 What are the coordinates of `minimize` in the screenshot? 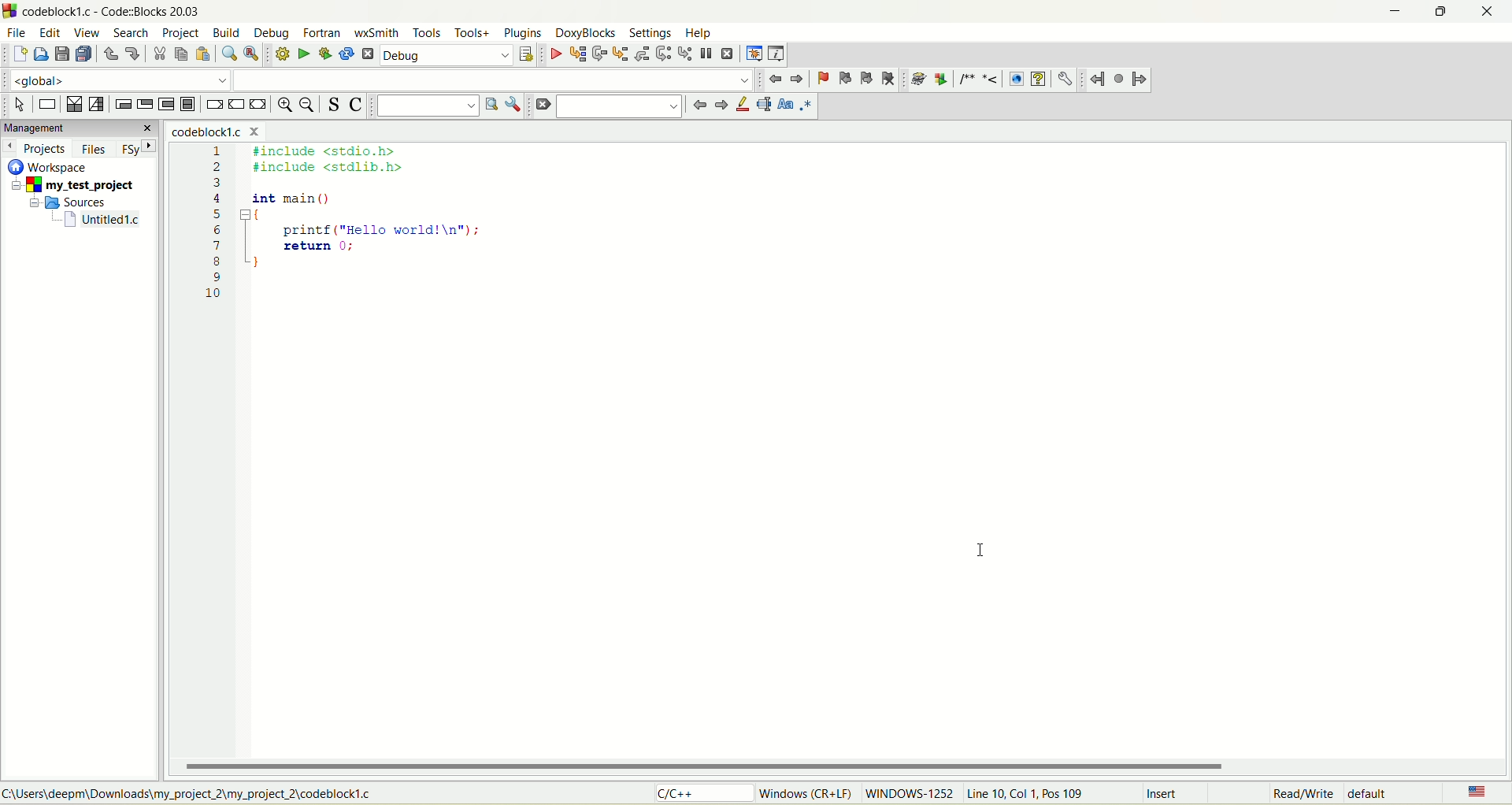 It's located at (1392, 14).